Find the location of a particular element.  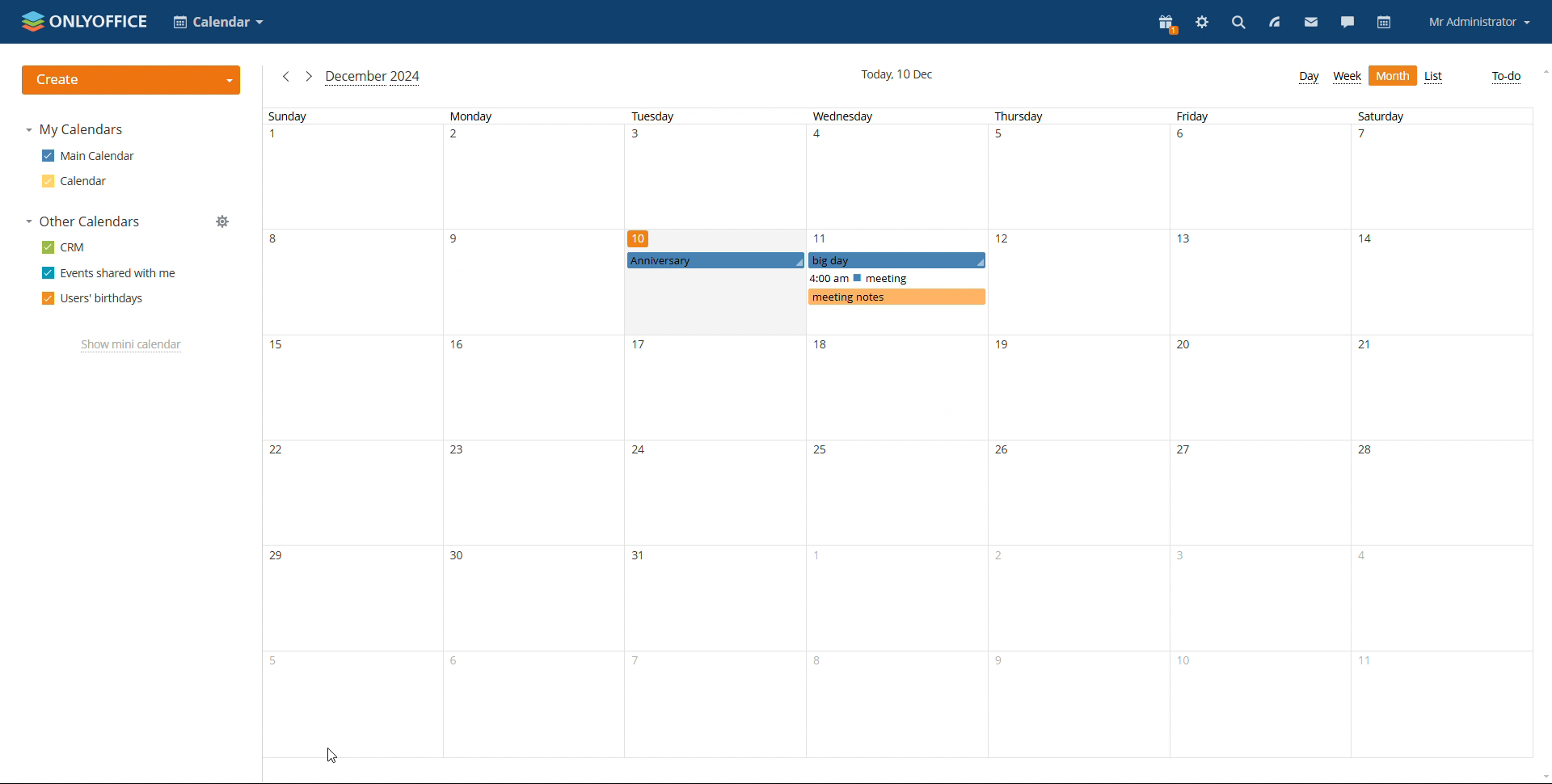

other calendars is located at coordinates (83, 221).